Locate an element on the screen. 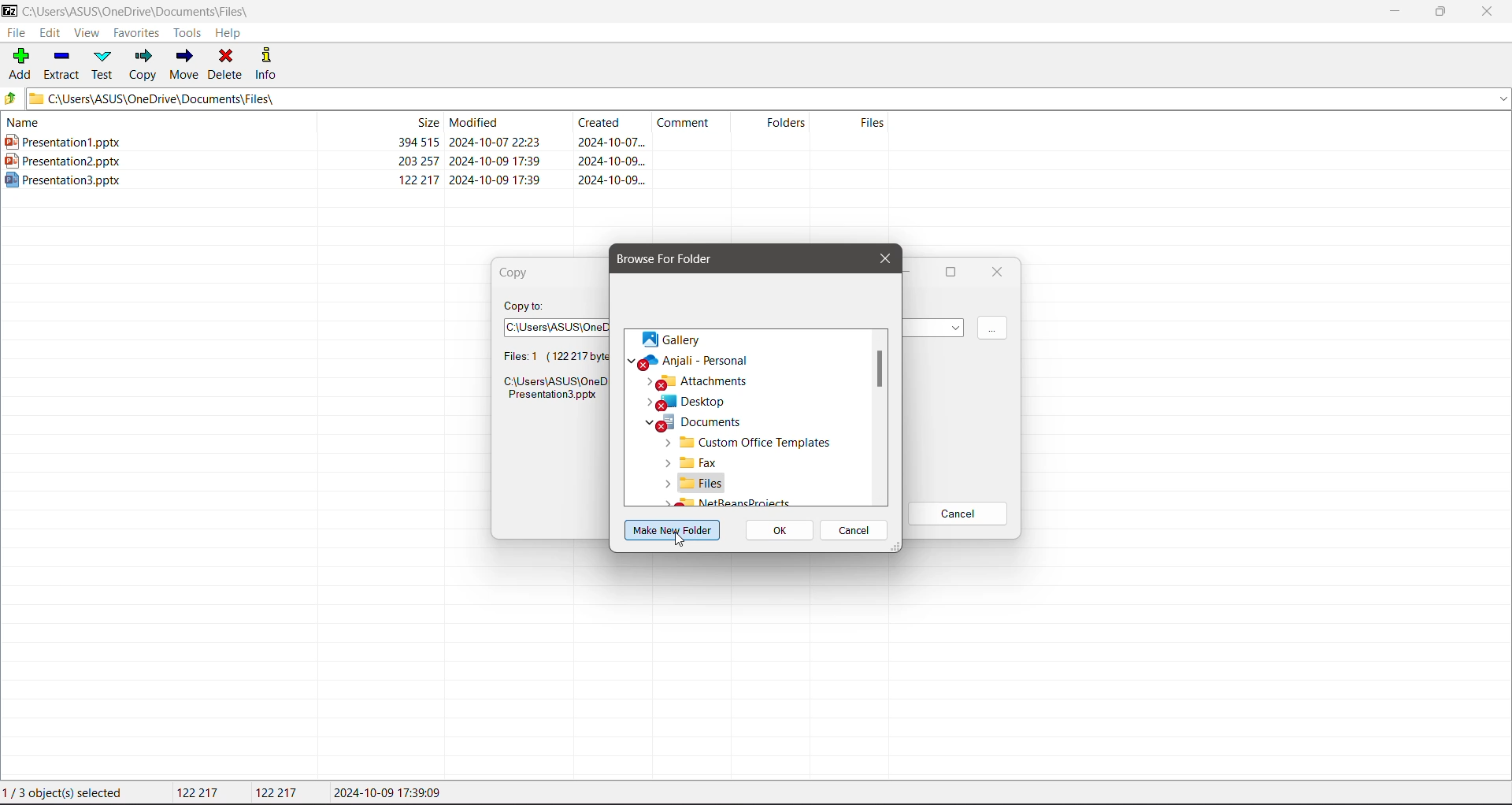  Delete is located at coordinates (228, 65).